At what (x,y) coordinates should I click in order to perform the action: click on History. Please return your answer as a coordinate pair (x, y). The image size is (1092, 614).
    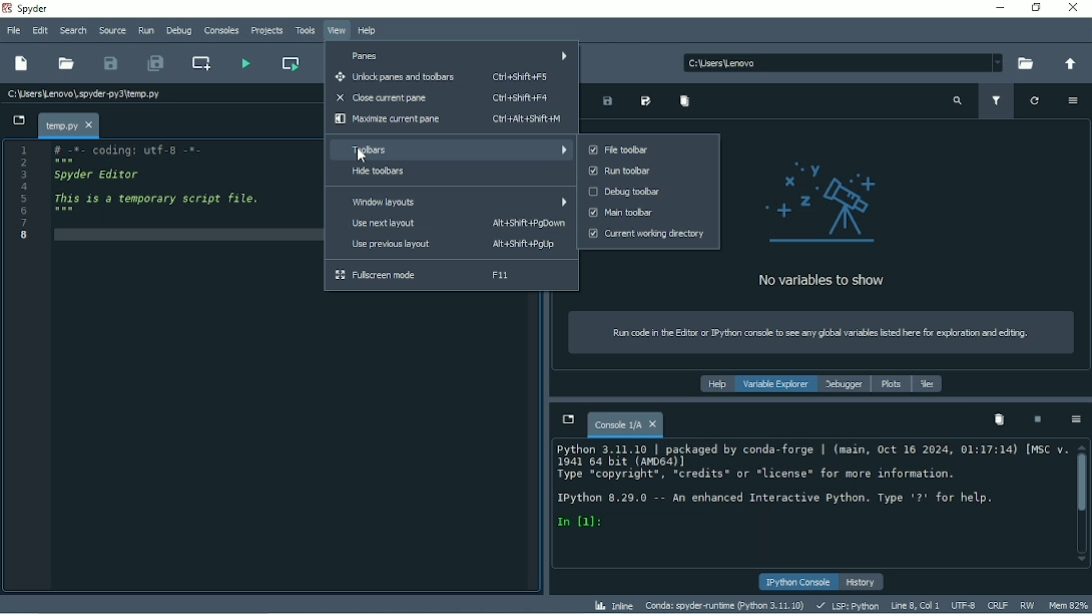
    Looking at the image, I should click on (863, 582).